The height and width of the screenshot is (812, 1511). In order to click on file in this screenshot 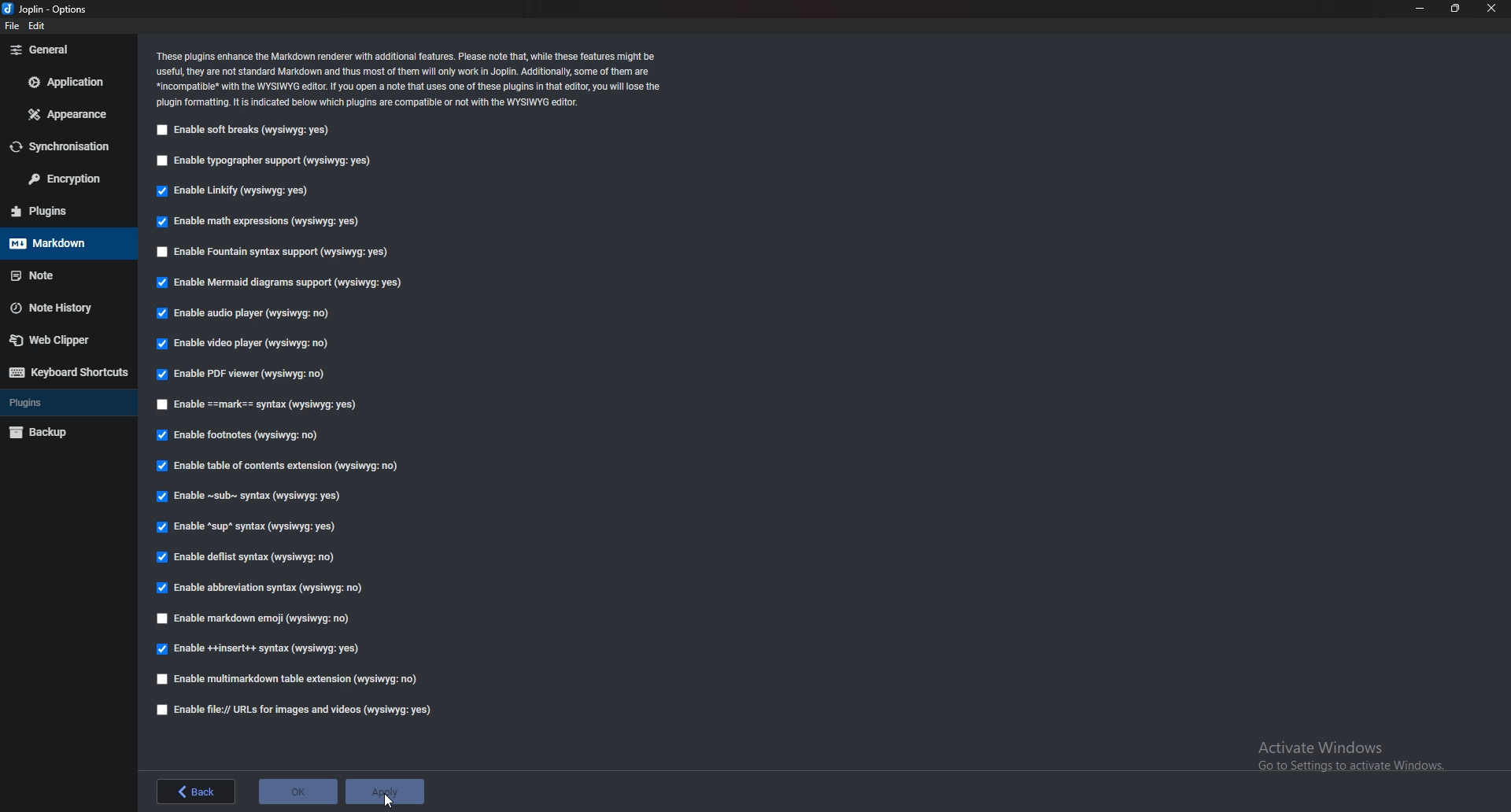, I will do `click(15, 26)`.